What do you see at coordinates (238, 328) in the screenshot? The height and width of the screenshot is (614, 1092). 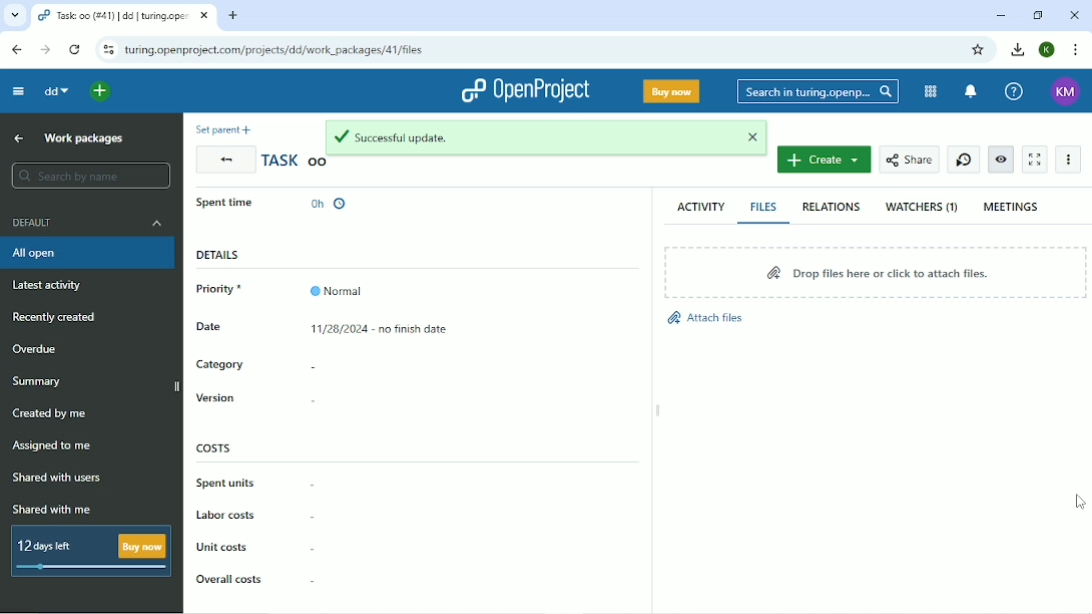 I see `Date` at bounding box center [238, 328].